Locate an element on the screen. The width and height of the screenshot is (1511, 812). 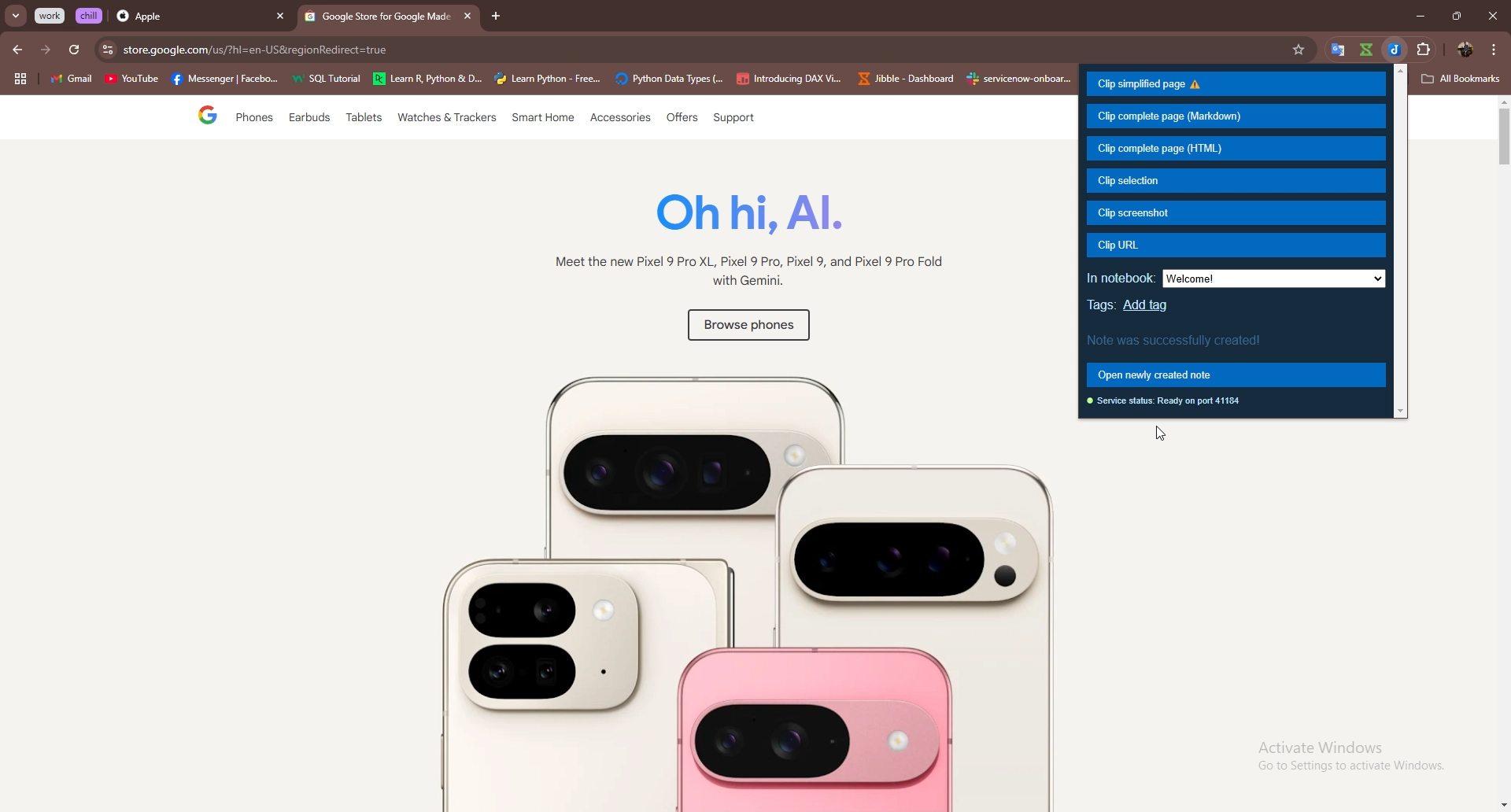
tab groups is located at coordinates (20, 79).